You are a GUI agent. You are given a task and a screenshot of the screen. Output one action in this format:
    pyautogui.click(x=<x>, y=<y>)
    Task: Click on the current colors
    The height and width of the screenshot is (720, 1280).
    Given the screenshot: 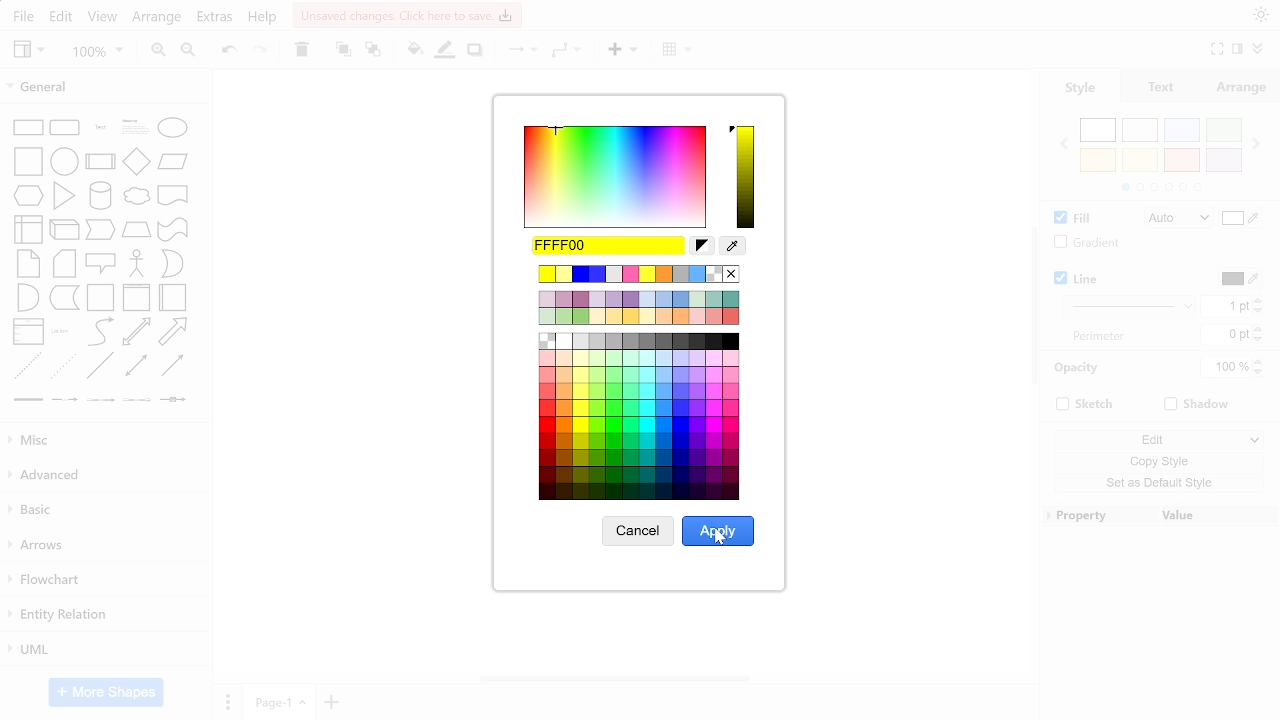 What is the action you would take?
    pyautogui.click(x=641, y=308)
    